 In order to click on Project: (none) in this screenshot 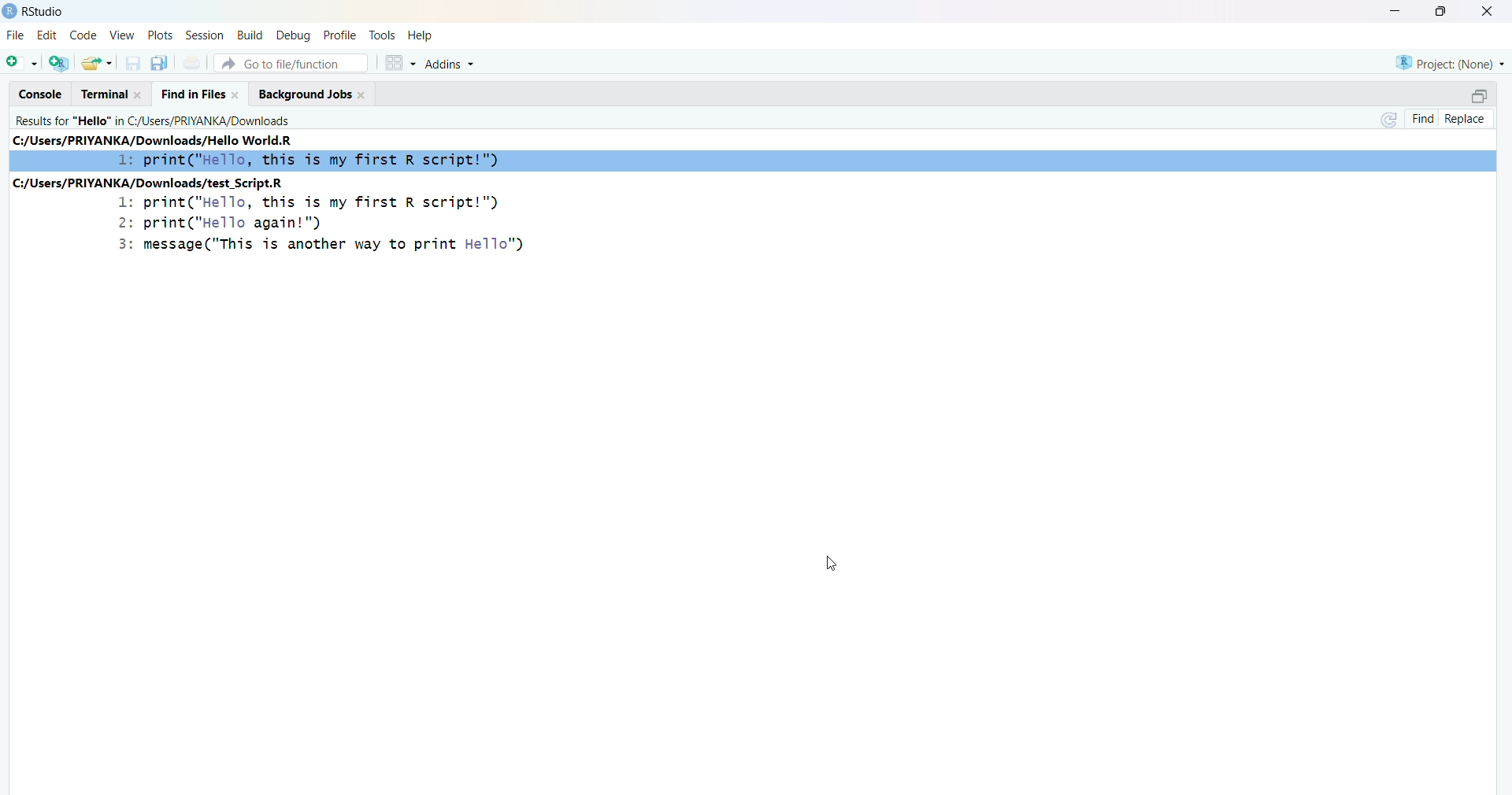, I will do `click(1450, 64)`.